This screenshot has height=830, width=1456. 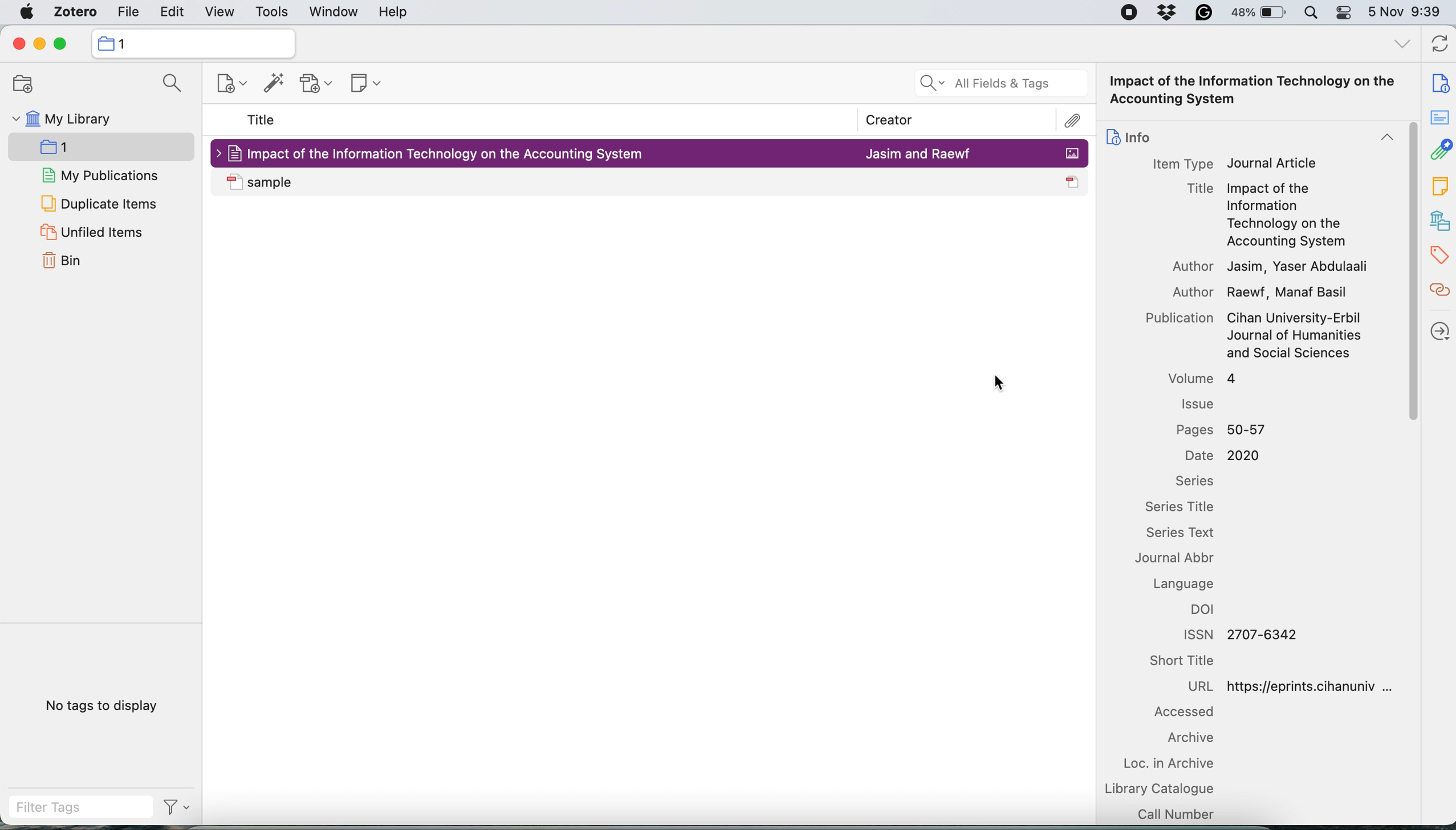 I want to click on sidebar vertical side bar, so click(x=1410, y=272).